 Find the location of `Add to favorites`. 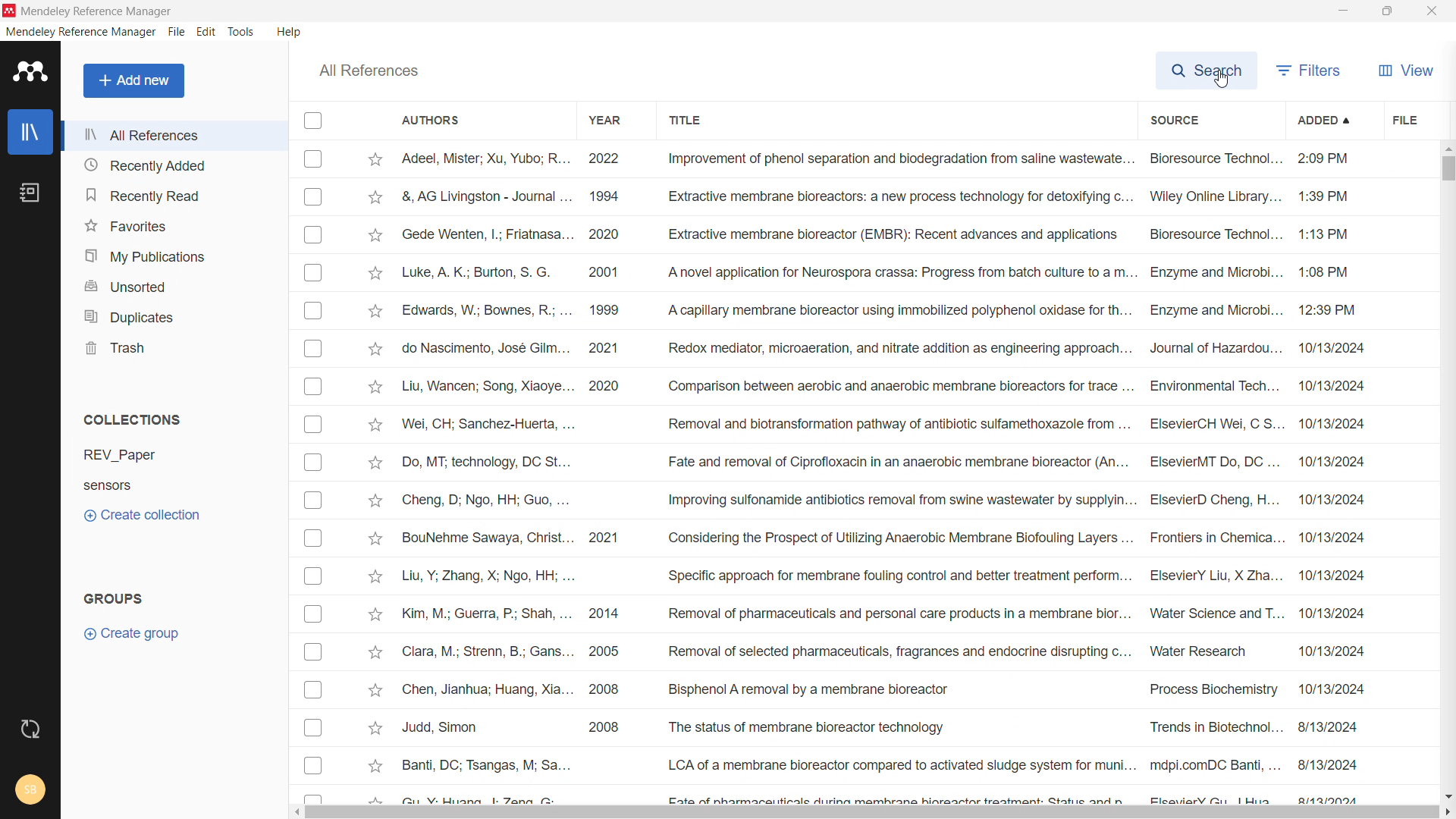

Add to favorites is located at coordinates (377, 576).